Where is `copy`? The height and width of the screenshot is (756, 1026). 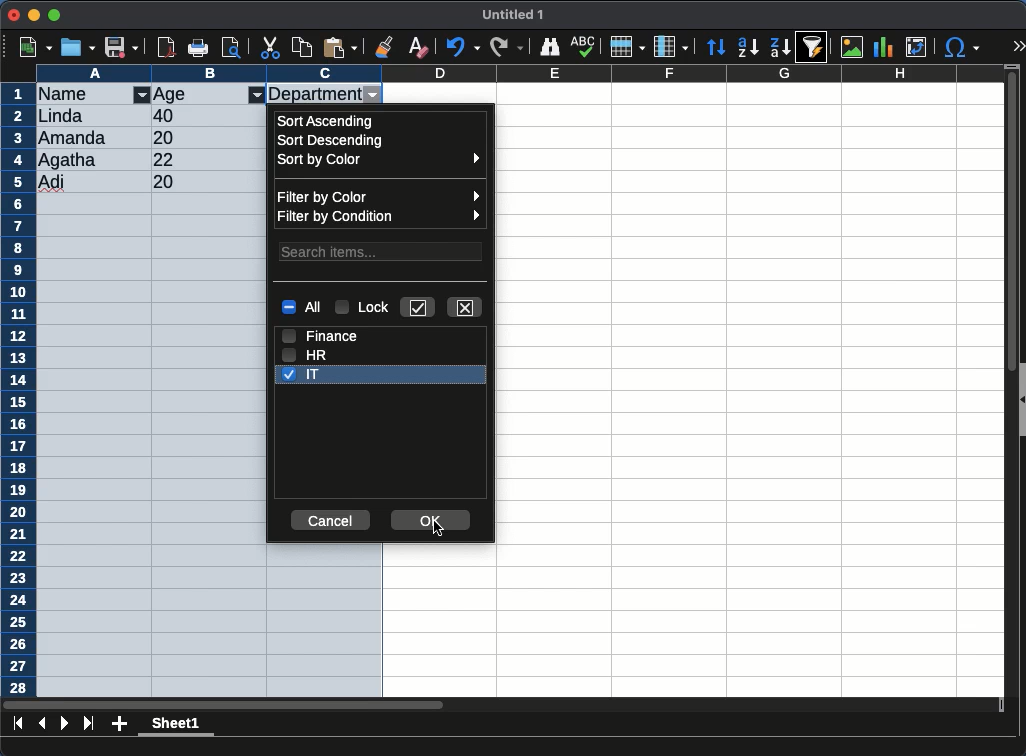
copy is located at coordinates (303, 47).